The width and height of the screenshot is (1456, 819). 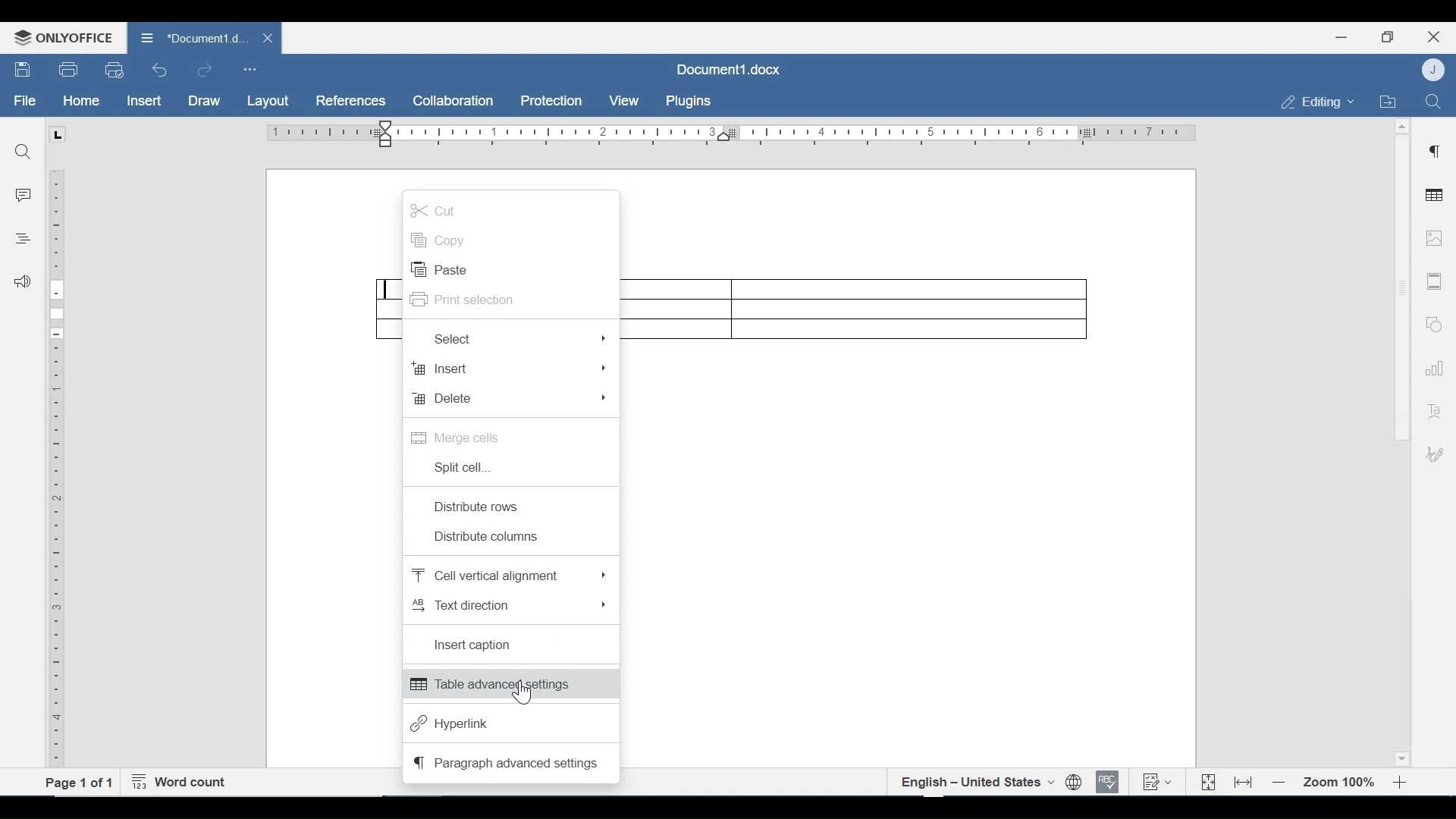 What do you see at coordinates (1244, 781) in the screenshot?
I see `Fit to Width` at bounding box center [1244, 781].